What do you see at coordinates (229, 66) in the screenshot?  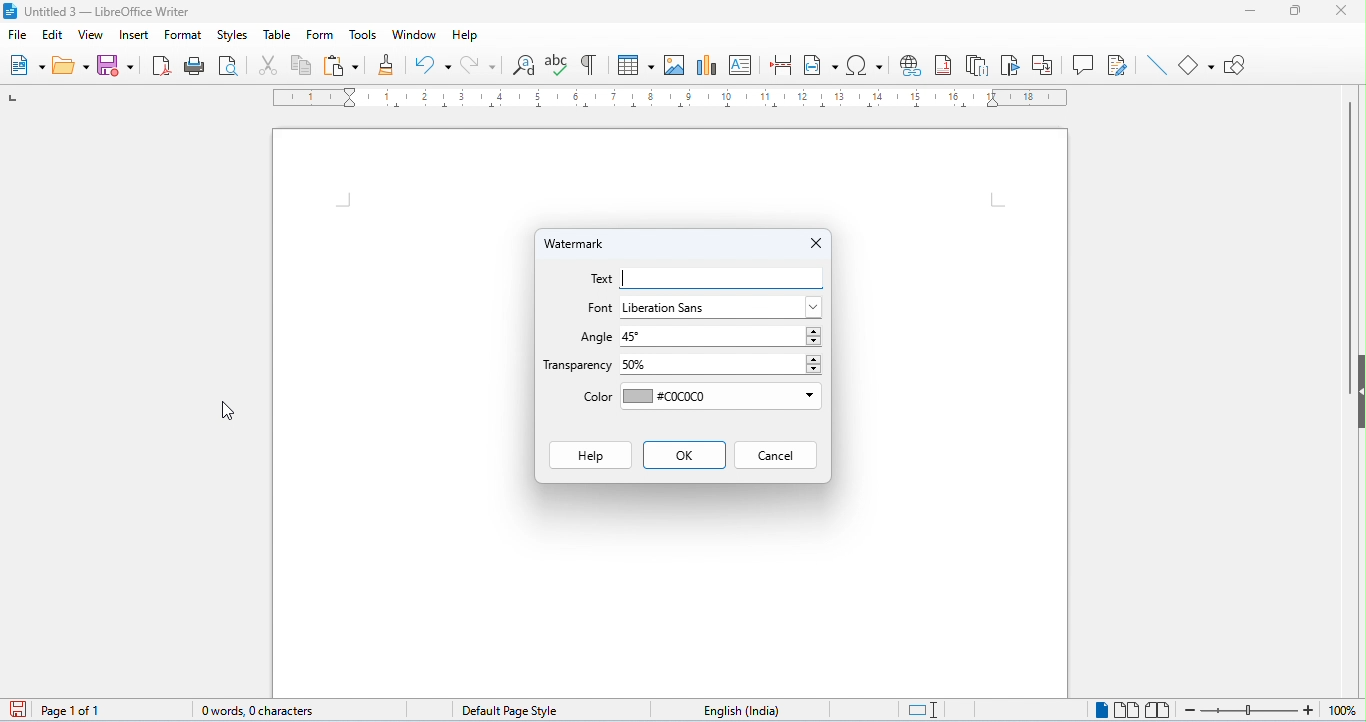 I see `print preview` at bounding box center [229, 66].